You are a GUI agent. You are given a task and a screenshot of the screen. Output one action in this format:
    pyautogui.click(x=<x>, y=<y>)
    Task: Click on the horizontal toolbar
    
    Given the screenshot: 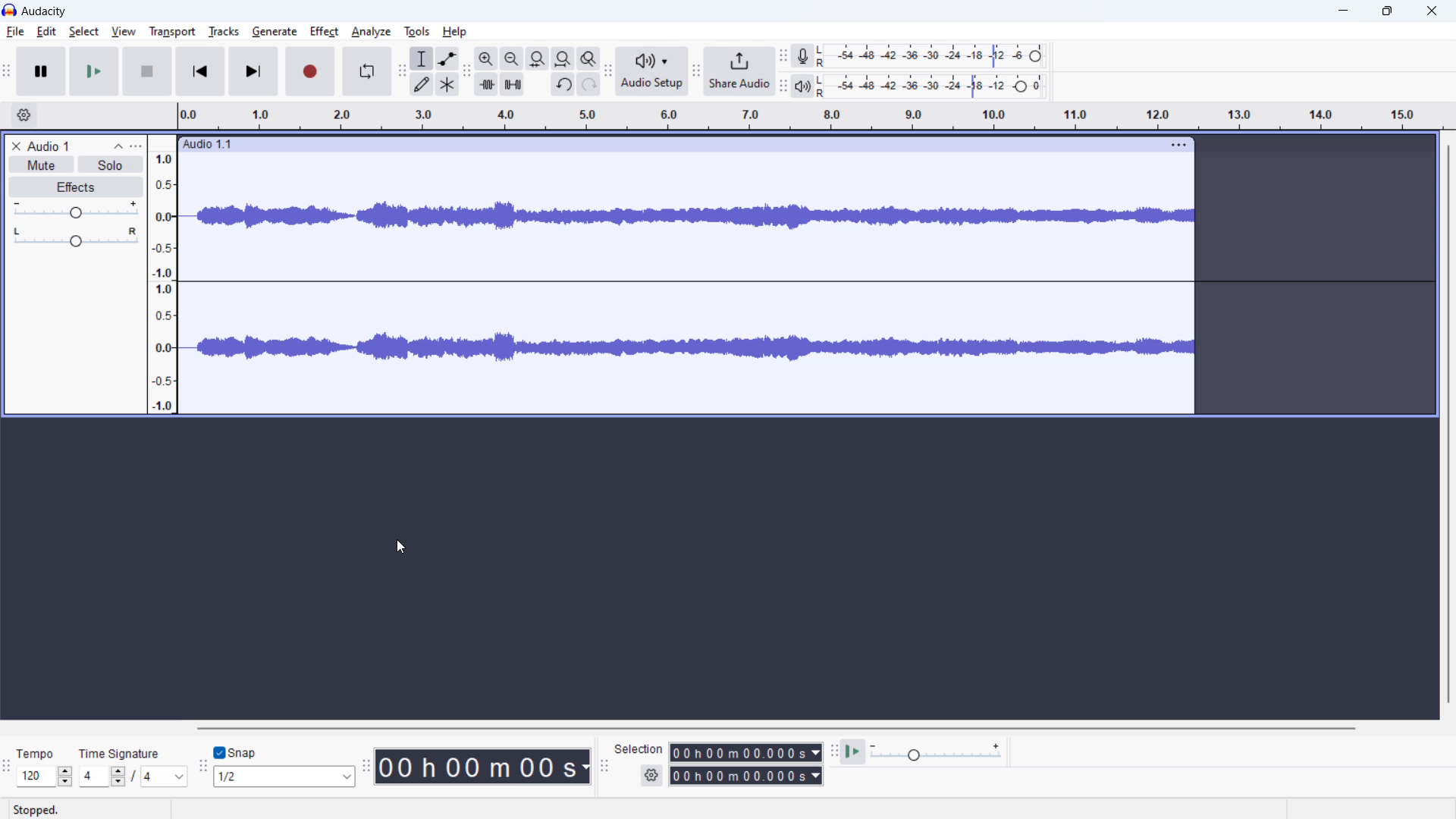 What is the action you would take?
    pyautogui.click(x=778, y=728)
    